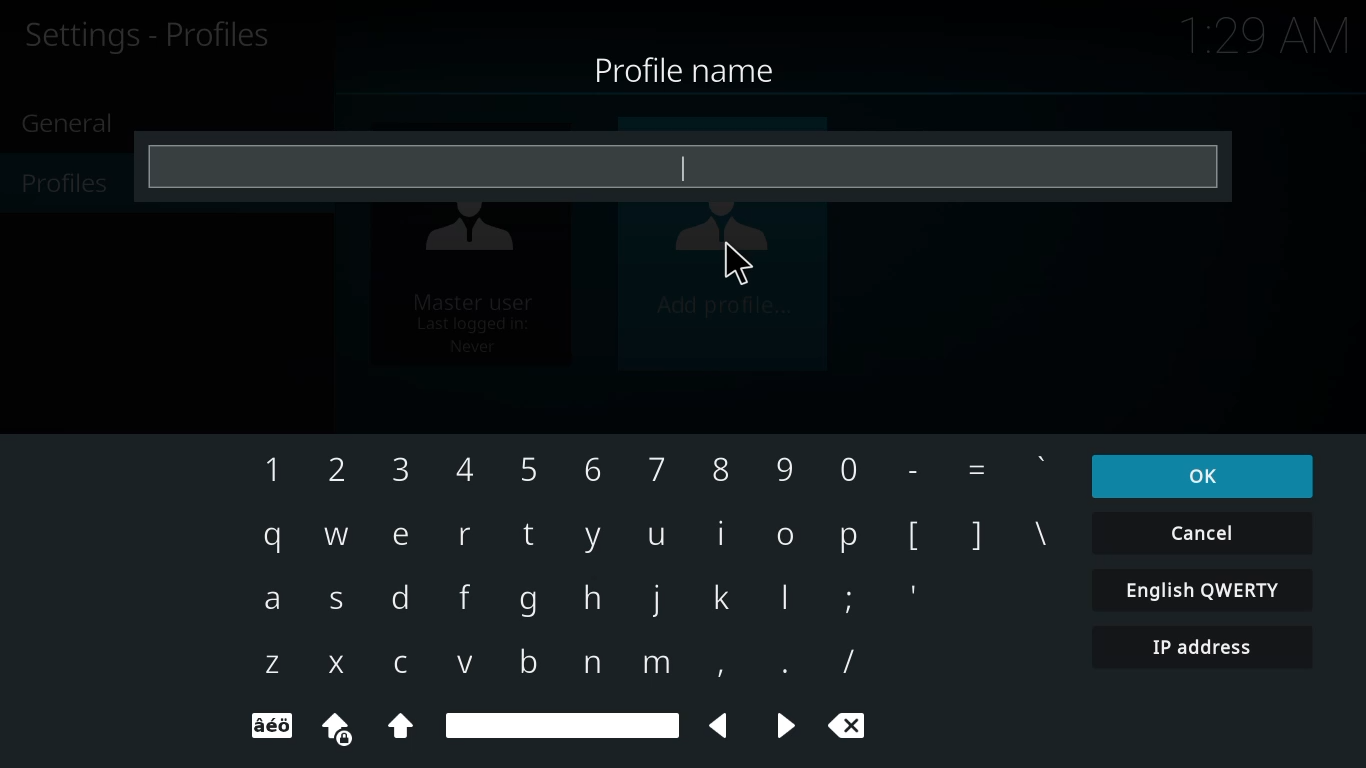 The width and height of the screenshot is (1366, 768). I want to click on 5, so click(528, 472).